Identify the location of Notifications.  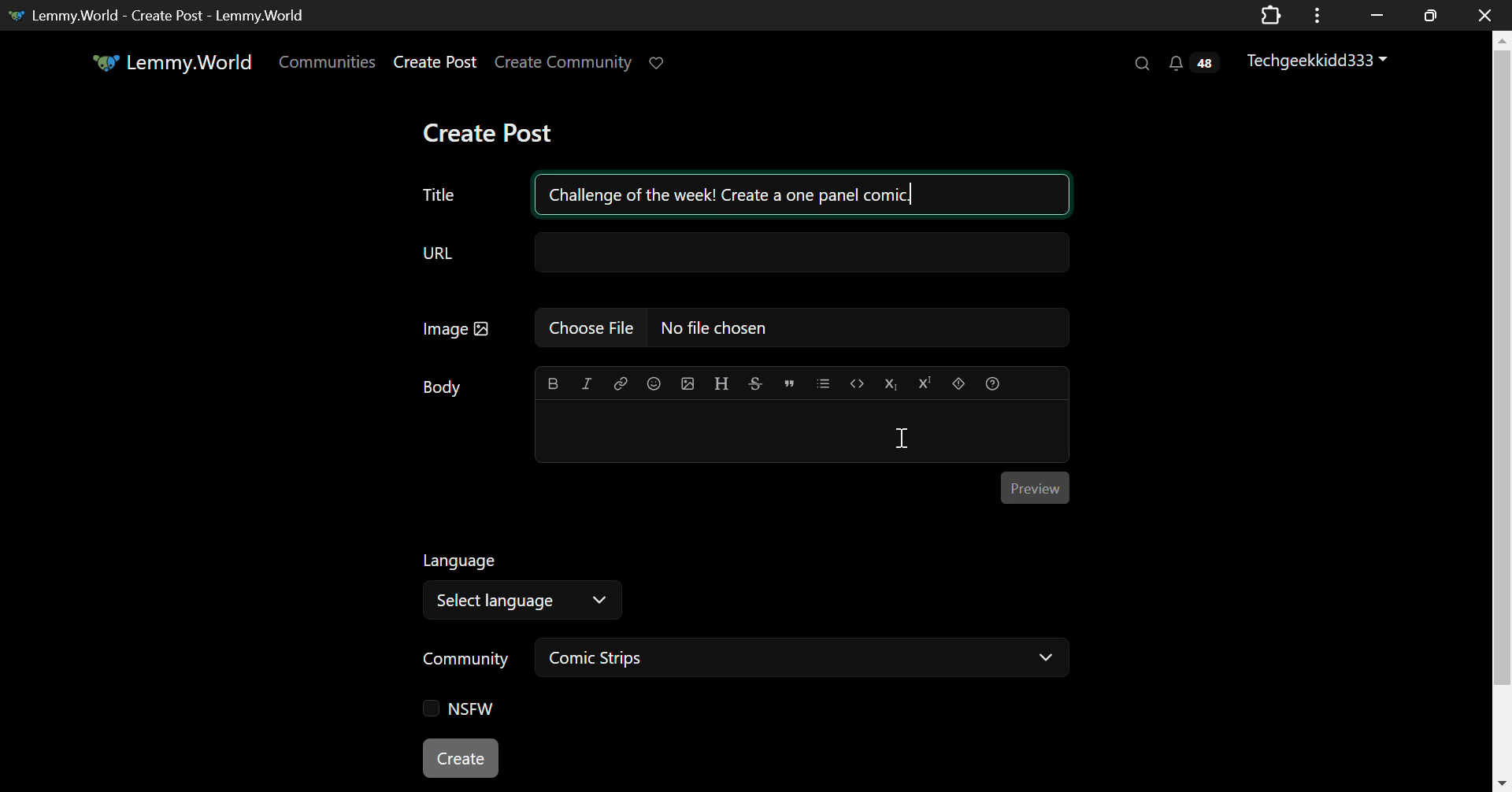
(1191, 65).